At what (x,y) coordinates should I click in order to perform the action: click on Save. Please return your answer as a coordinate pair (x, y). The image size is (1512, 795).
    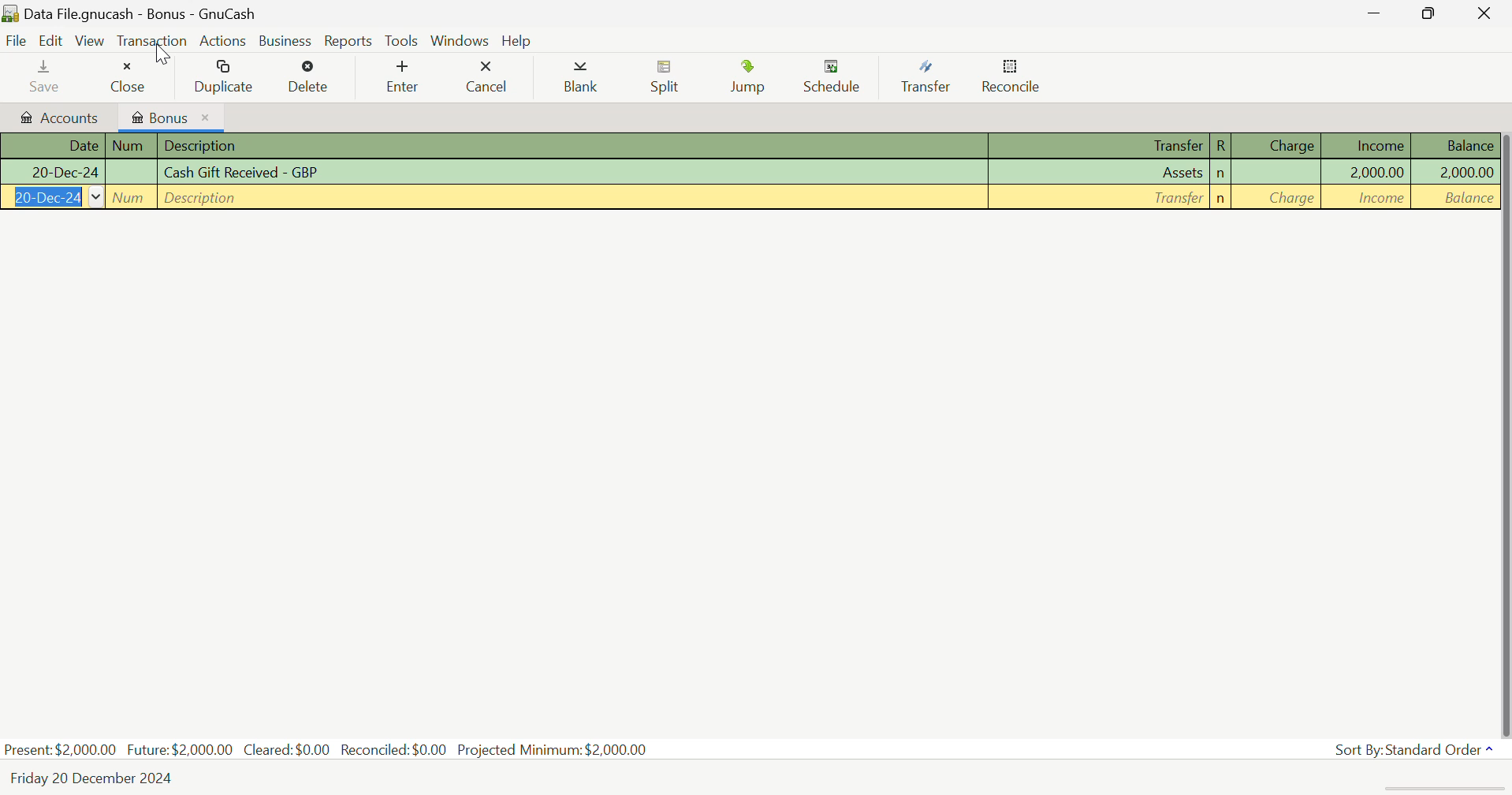
    Looking at the image, I should click on (46, 75).